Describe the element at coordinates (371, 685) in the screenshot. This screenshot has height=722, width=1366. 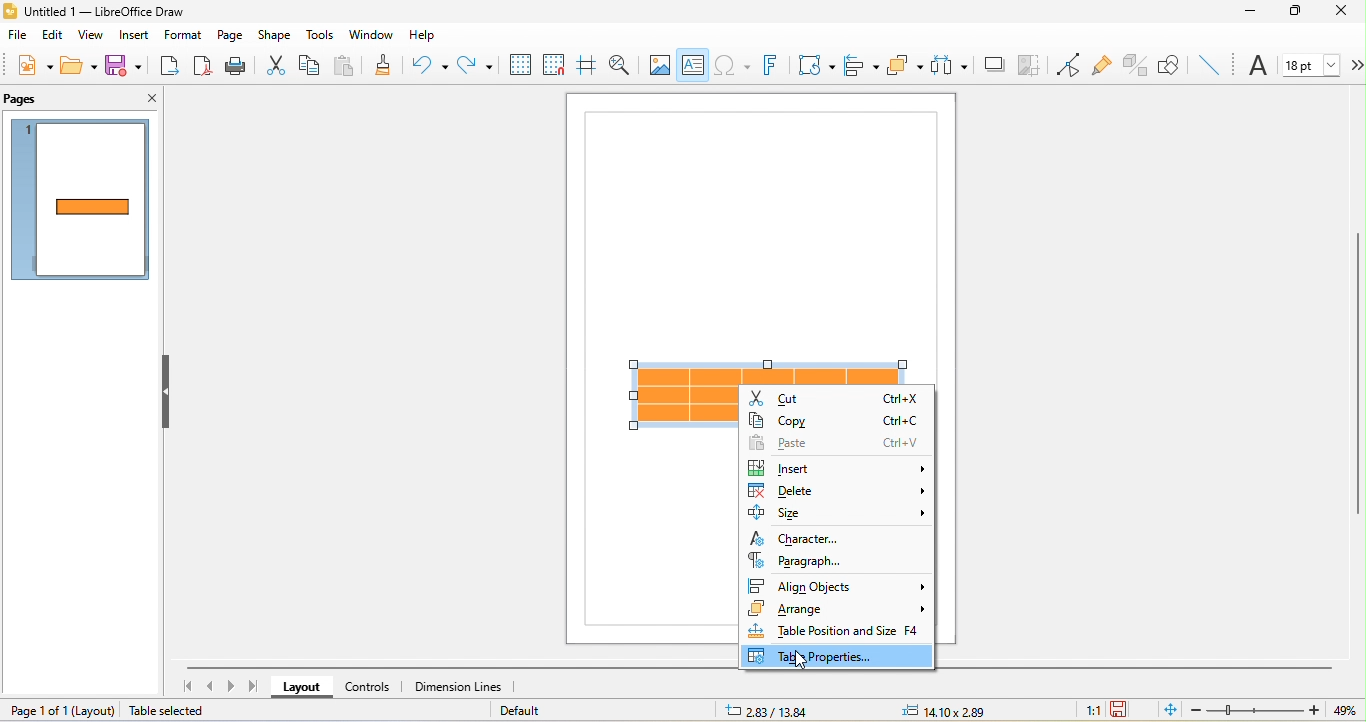
I see `controls` at that location.